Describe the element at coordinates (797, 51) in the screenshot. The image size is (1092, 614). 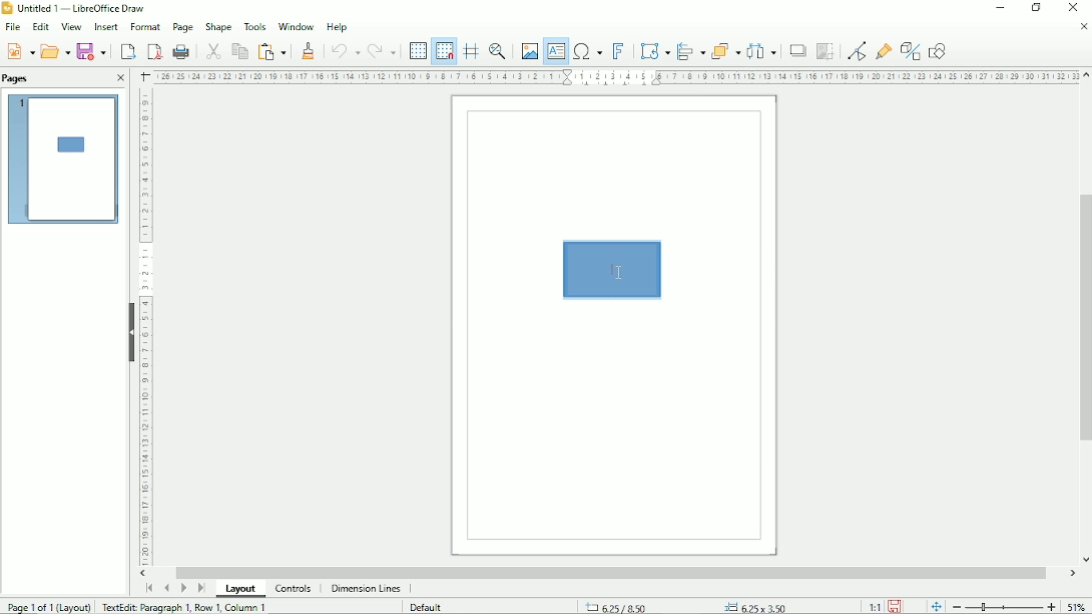
I see `Shadow` at that location.